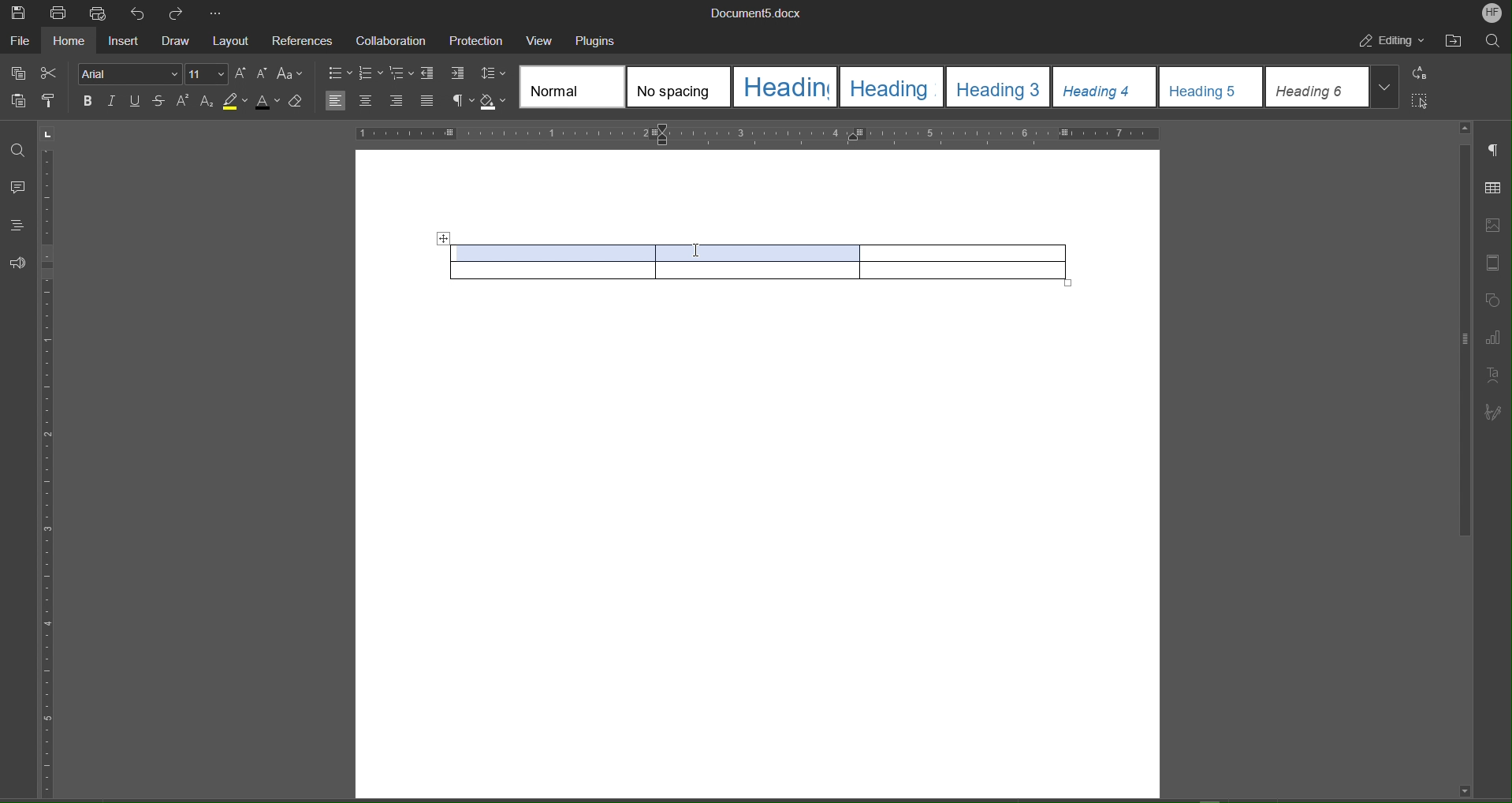 The height and width of the screenshot is (803, 1512). What do you see at coordinates (894, 88) in the screenshot?
I see `heading 2` at bounding box center [894, 88].